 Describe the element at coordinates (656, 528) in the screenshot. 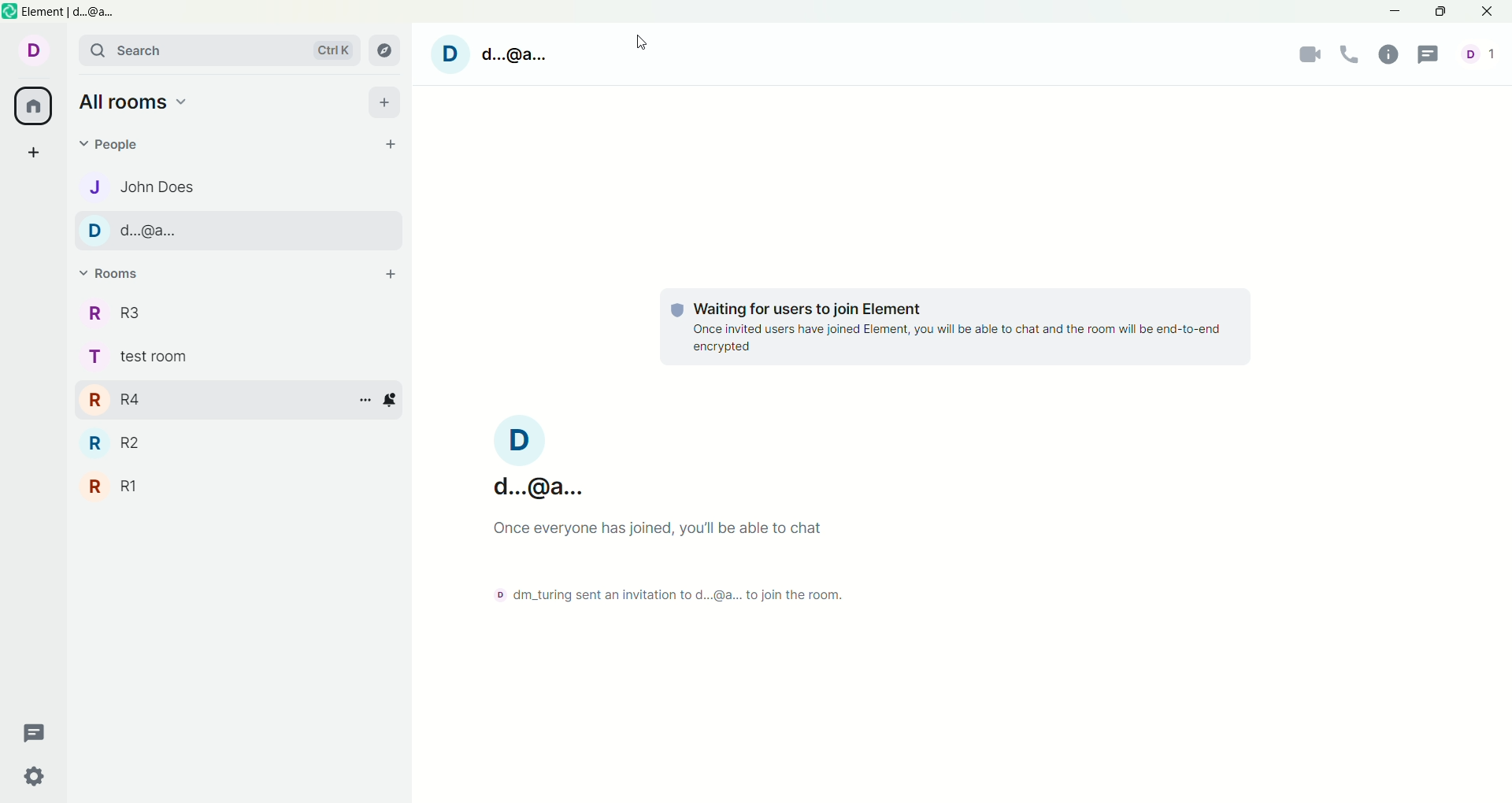

I see `Once everyone has joined, you'll be able to chat` at that location.